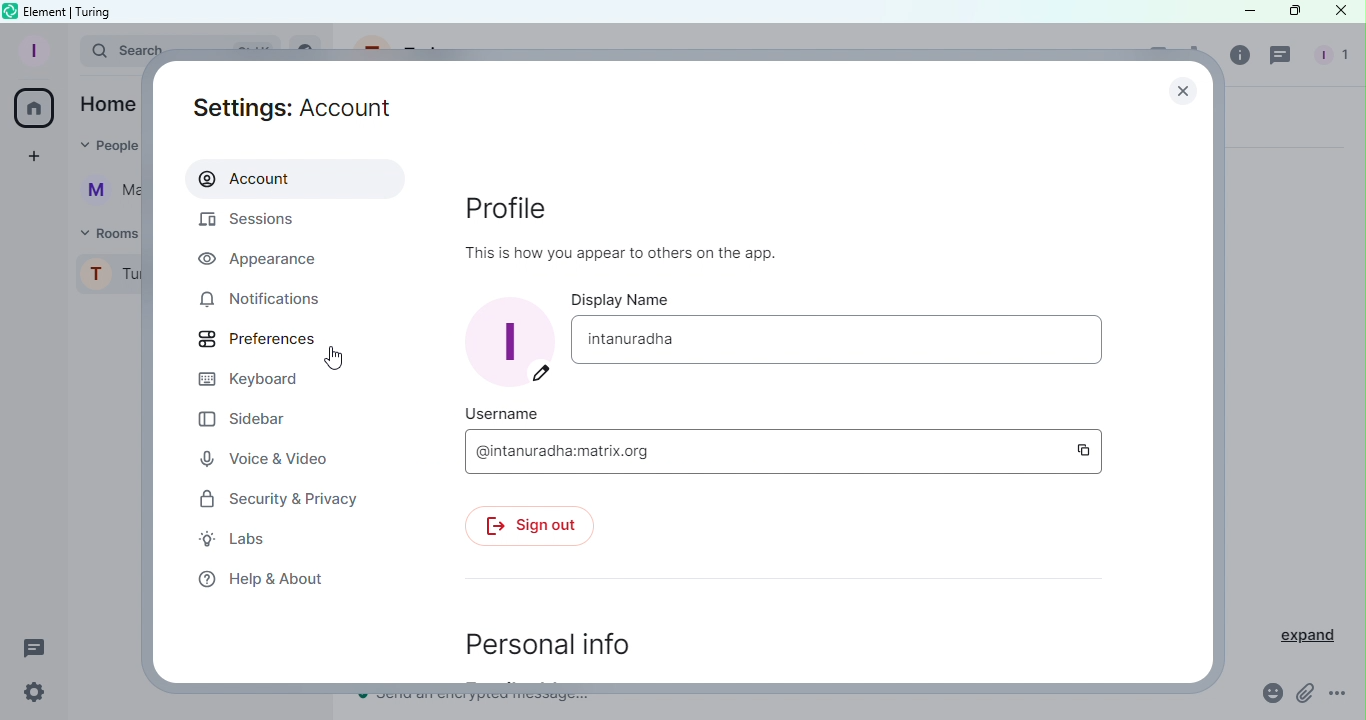 The height and width of the screenshot is (720, 1366). I want to click on Profile, so click(508, 207).